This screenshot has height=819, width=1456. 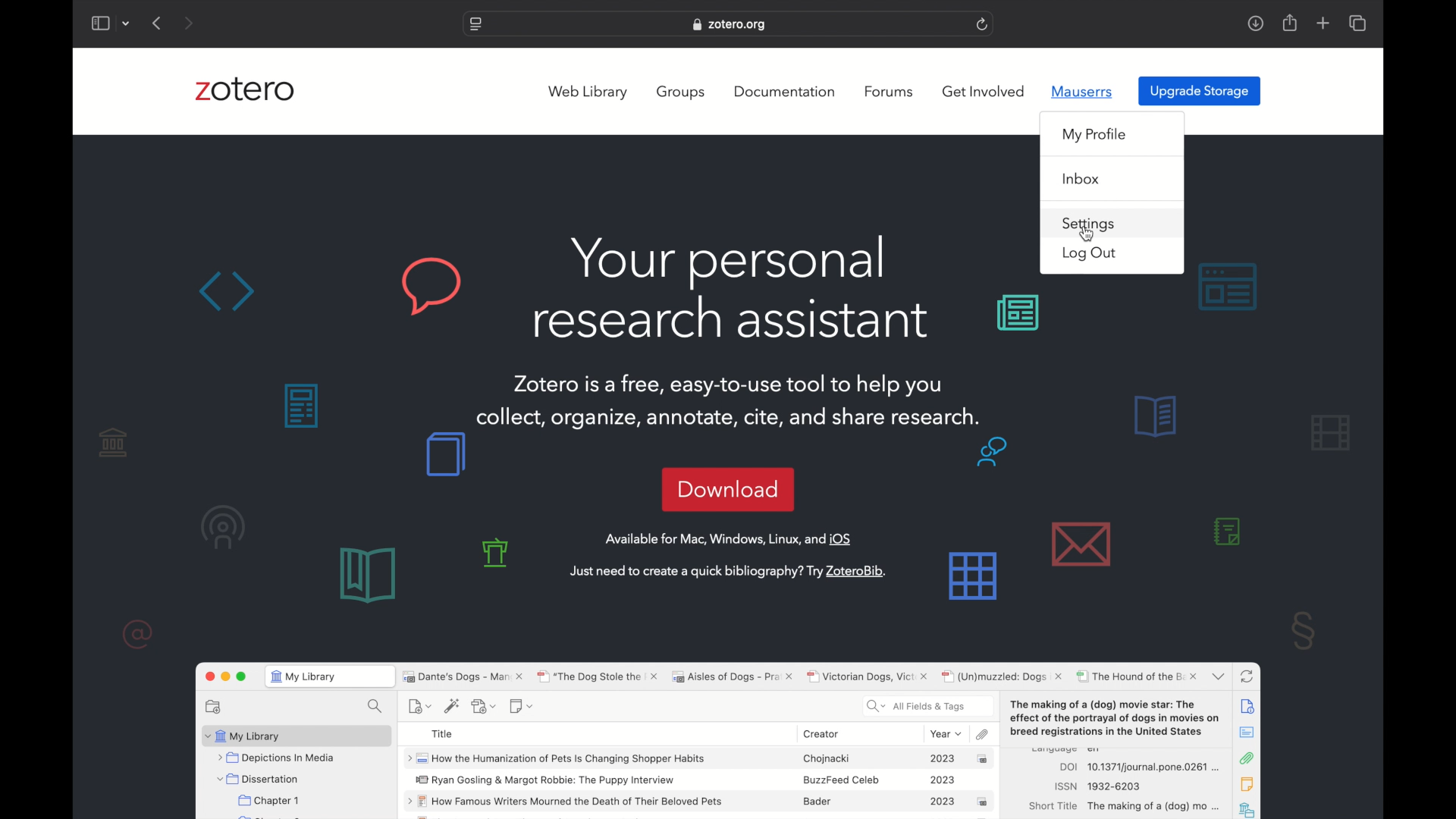 What do you see at coordinates (1095, 136) in the screenshot?
I see `my profile` at bounding box center [1095, 136].